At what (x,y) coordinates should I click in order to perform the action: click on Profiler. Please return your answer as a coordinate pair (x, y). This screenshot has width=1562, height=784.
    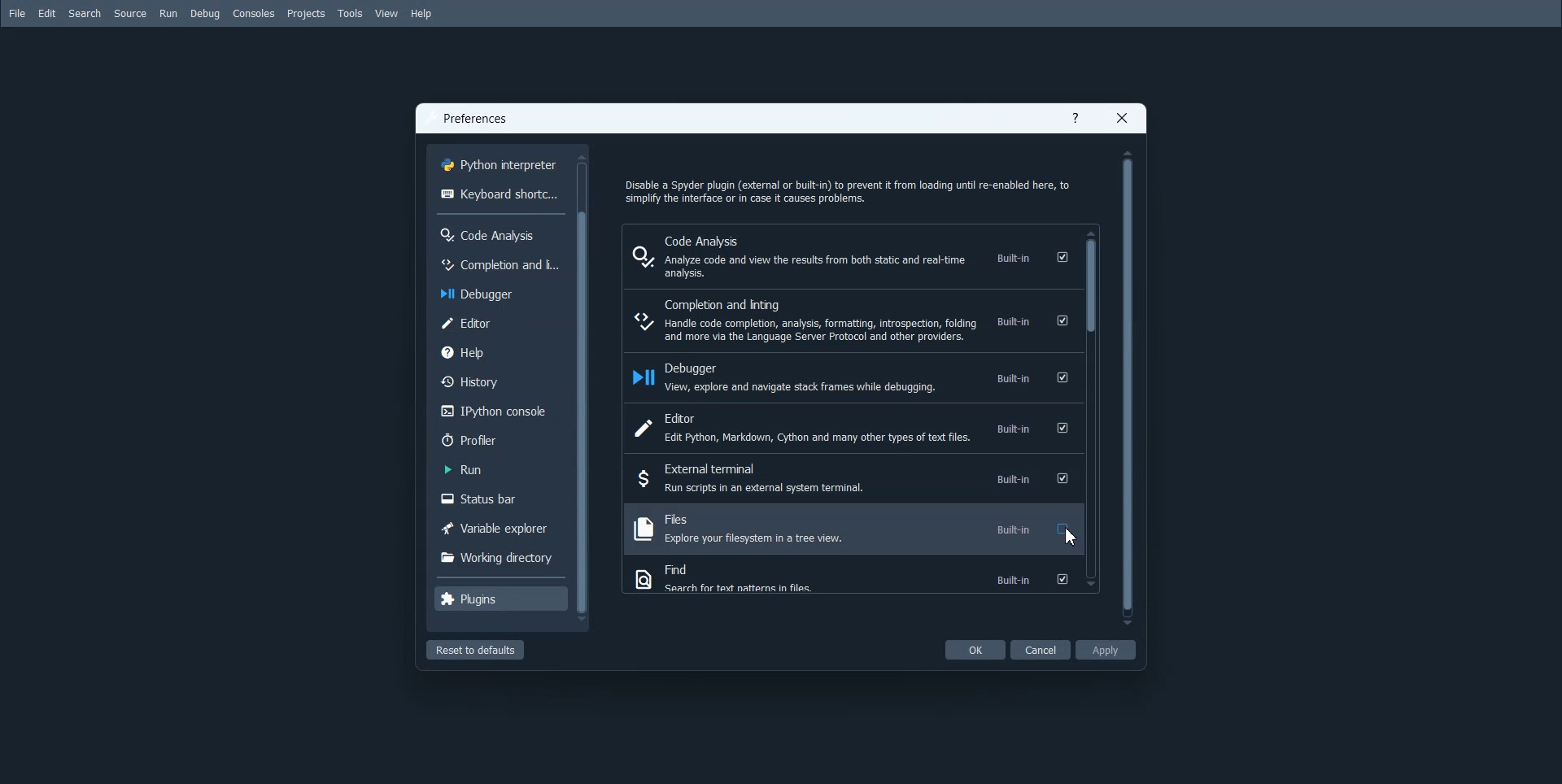
    Looking at the image, I should click on (500, 439).